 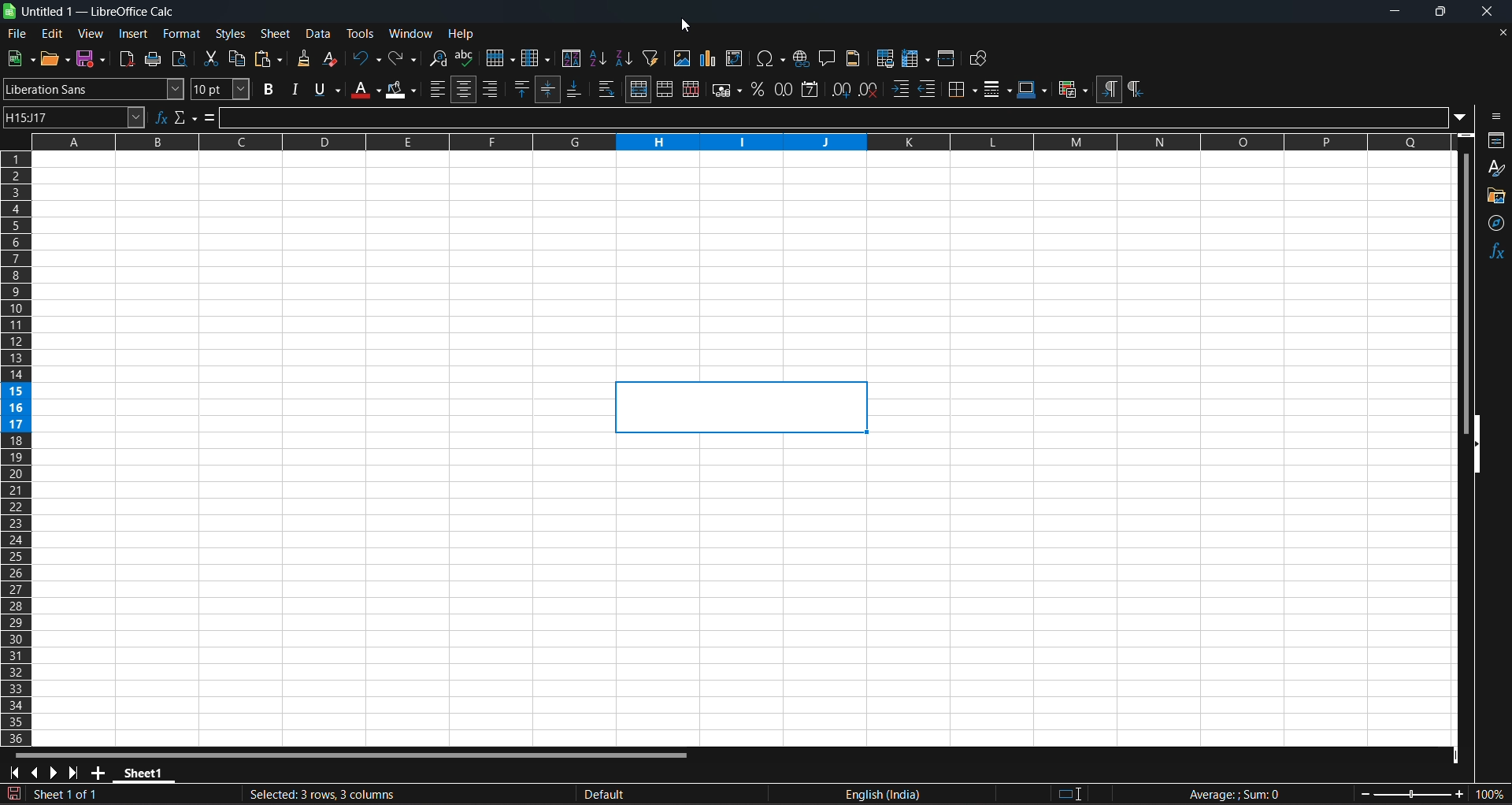 I want to click on underline, so click(x=326, y=91).